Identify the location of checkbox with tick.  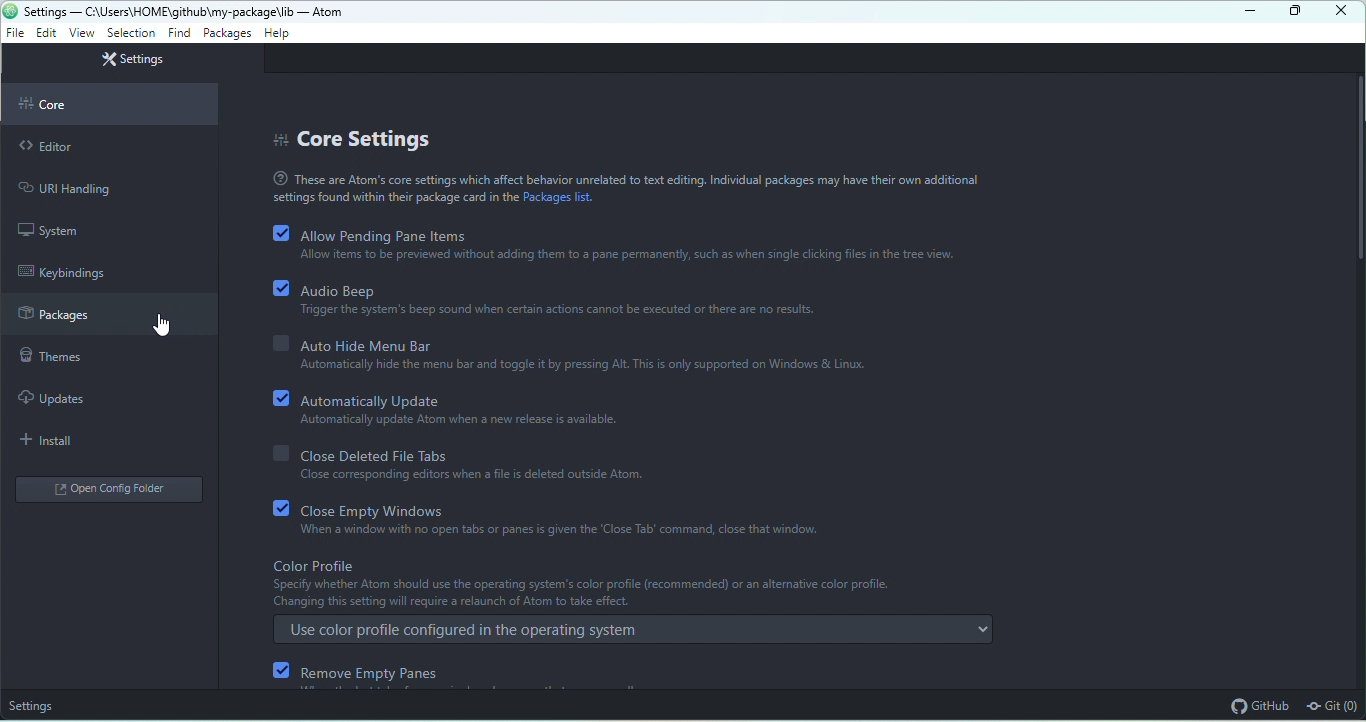
(281, 289).